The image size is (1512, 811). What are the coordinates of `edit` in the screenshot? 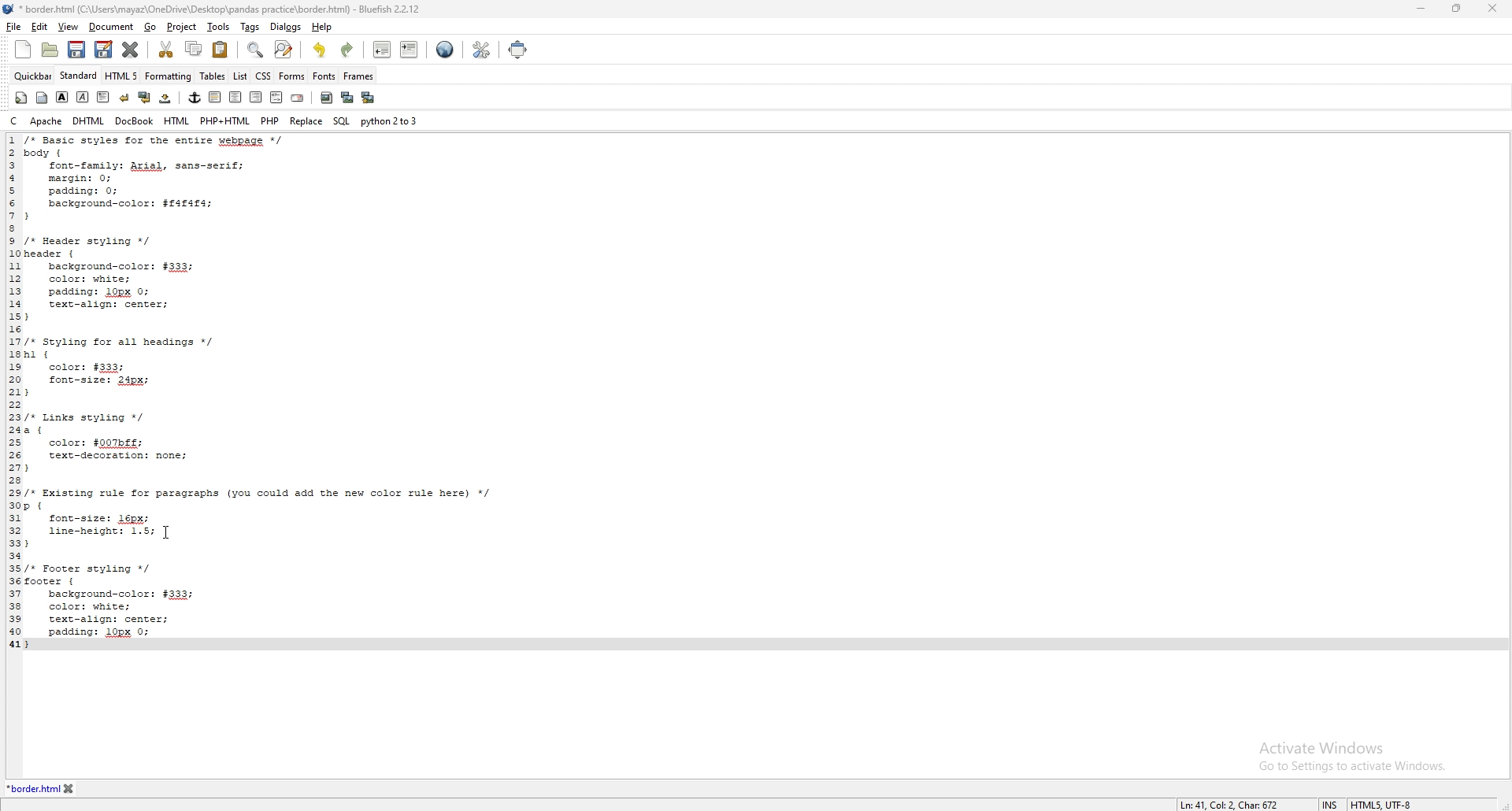 It's located at (40, 26).